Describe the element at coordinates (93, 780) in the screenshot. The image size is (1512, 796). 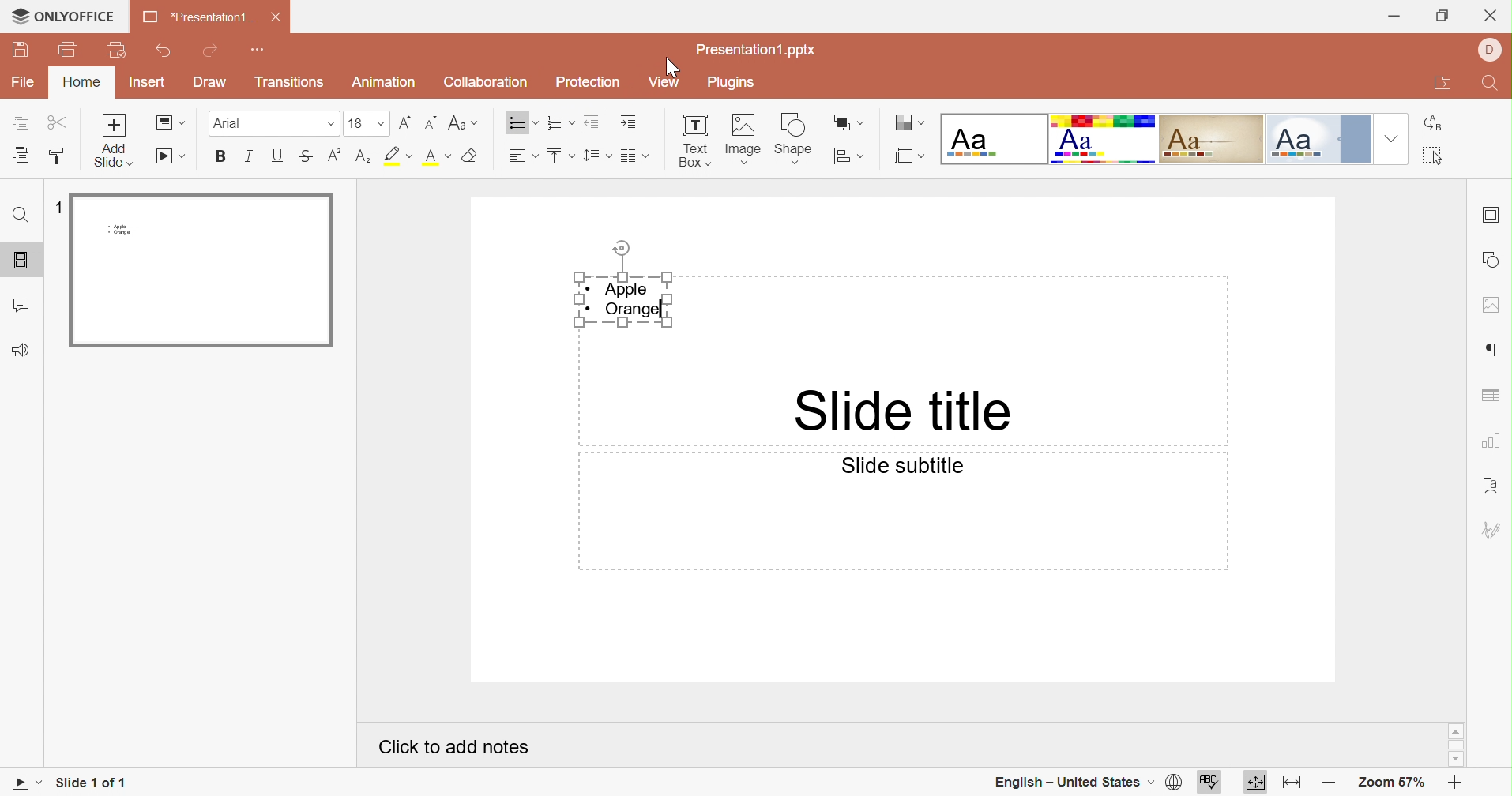
I see `Slide 1 of 1` at that location.